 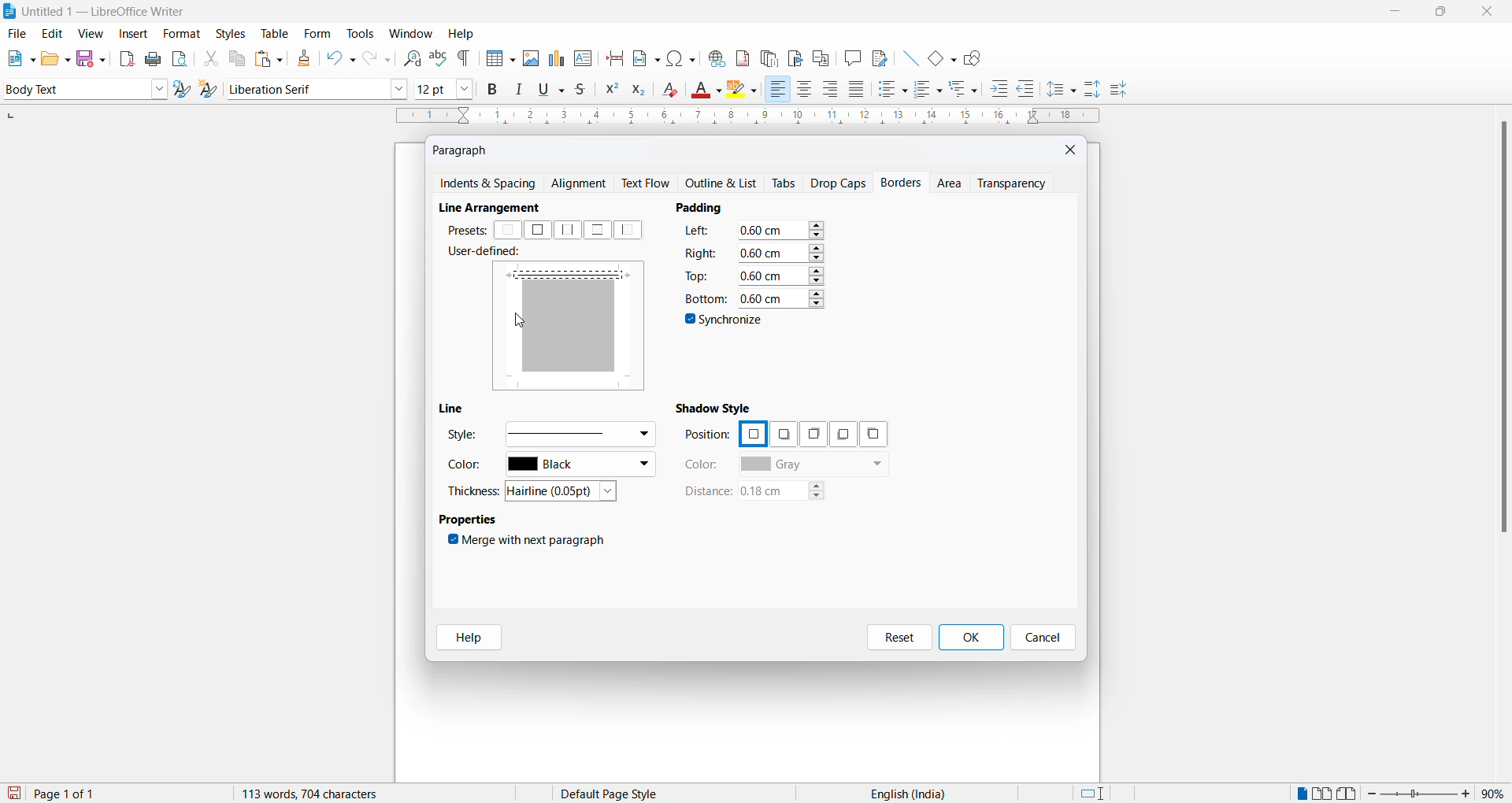 What do you see at coordinates (726, 322) in the screenshot?
I see `synchronize options` at bounding box center [726, 322].